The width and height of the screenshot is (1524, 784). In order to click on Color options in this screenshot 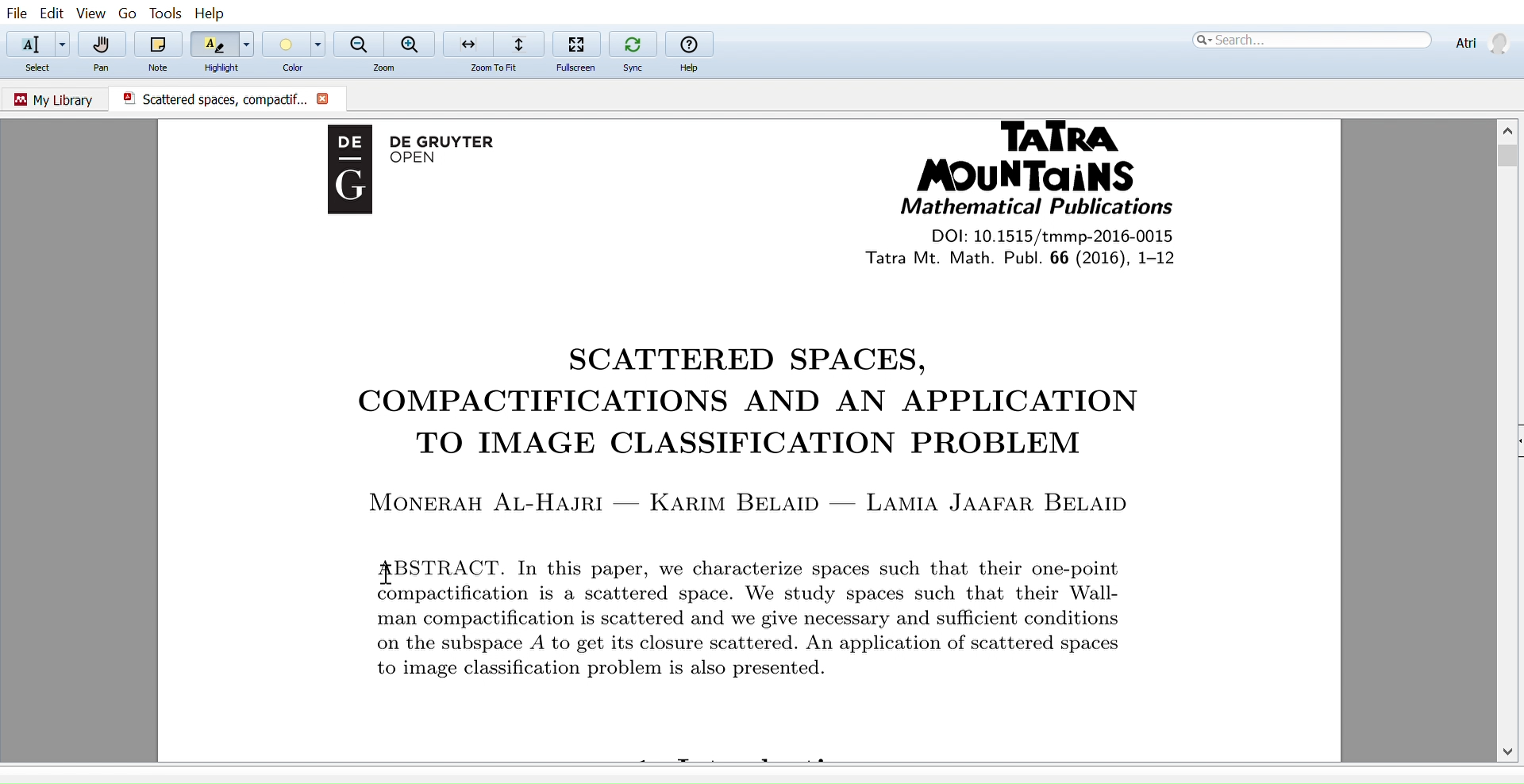, I will do `click(320, 44)`.